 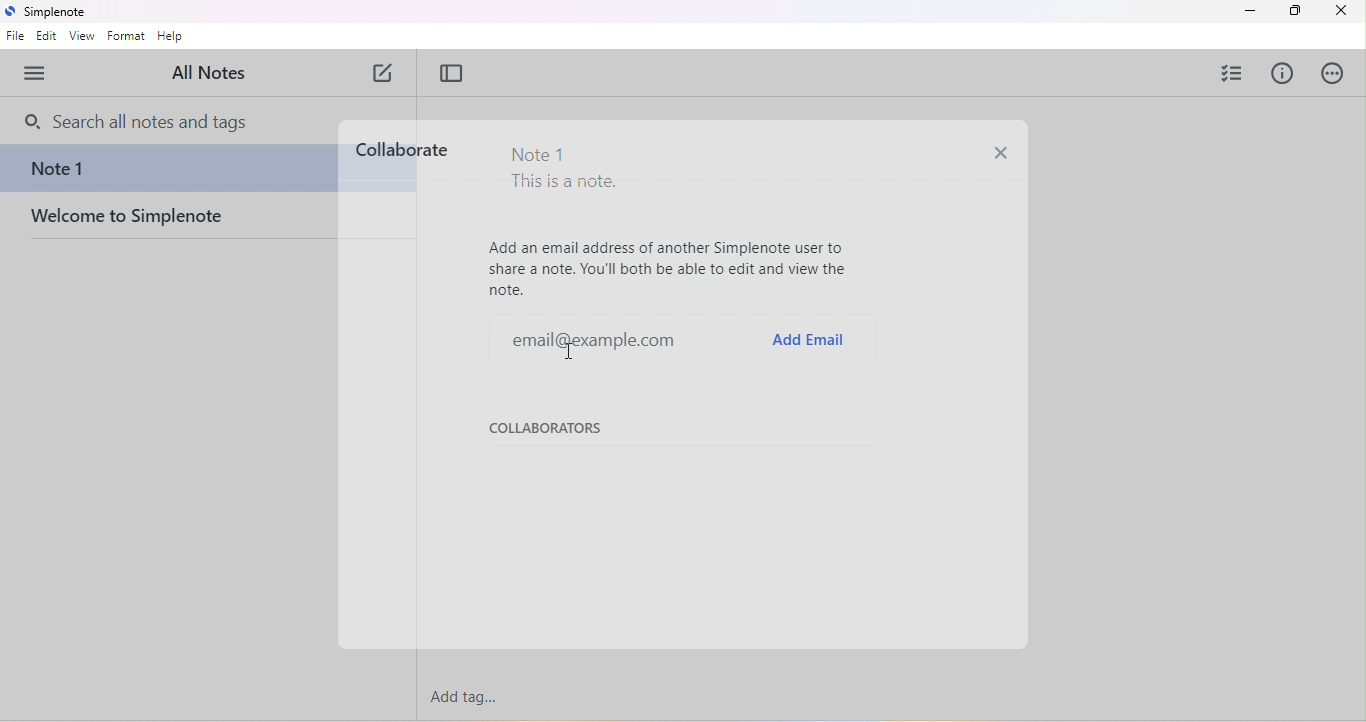 What do you see at coordinates (59, 13) in the screenshot?
I see `Simplenote` at bounding box center [59, 13].